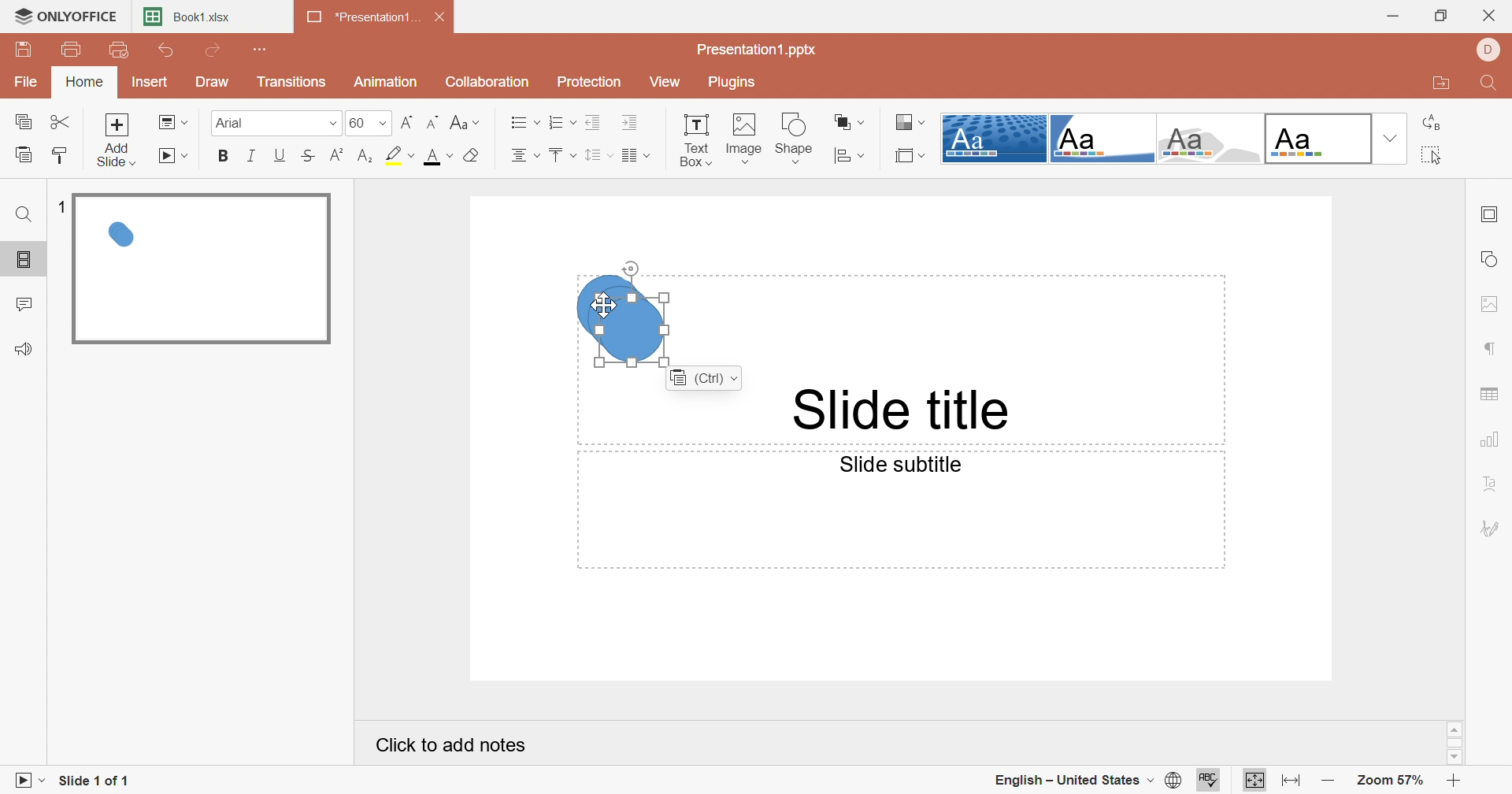 Image resolution: width=1512 pixels, height=794 pixels. What do you see at coordinates (1491, 528) in the screenshot?
I see `Signature settings` at bounding box center [1491, 528].